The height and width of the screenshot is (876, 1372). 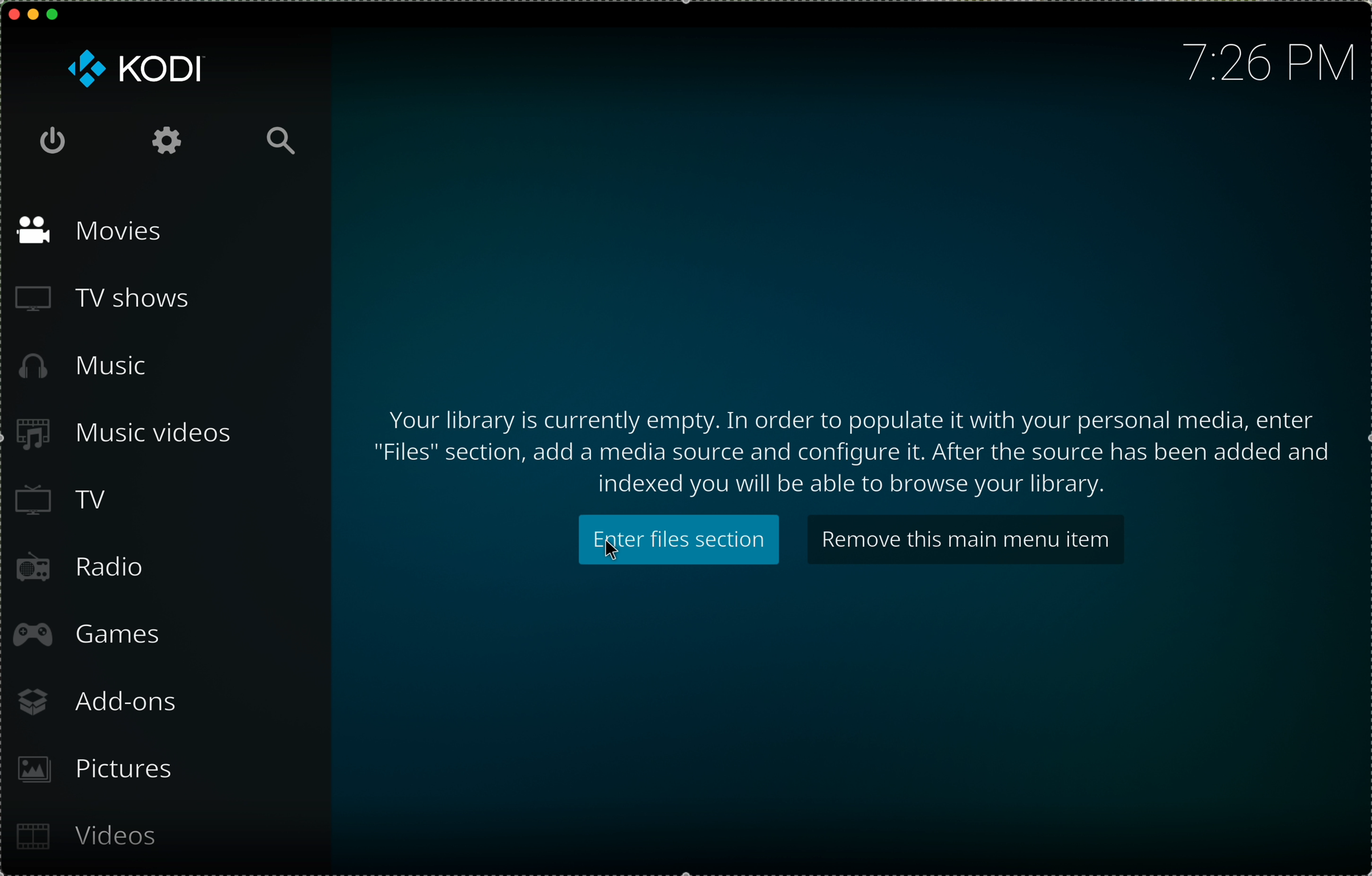 I want to click on videos, so click(x=90, y=838).